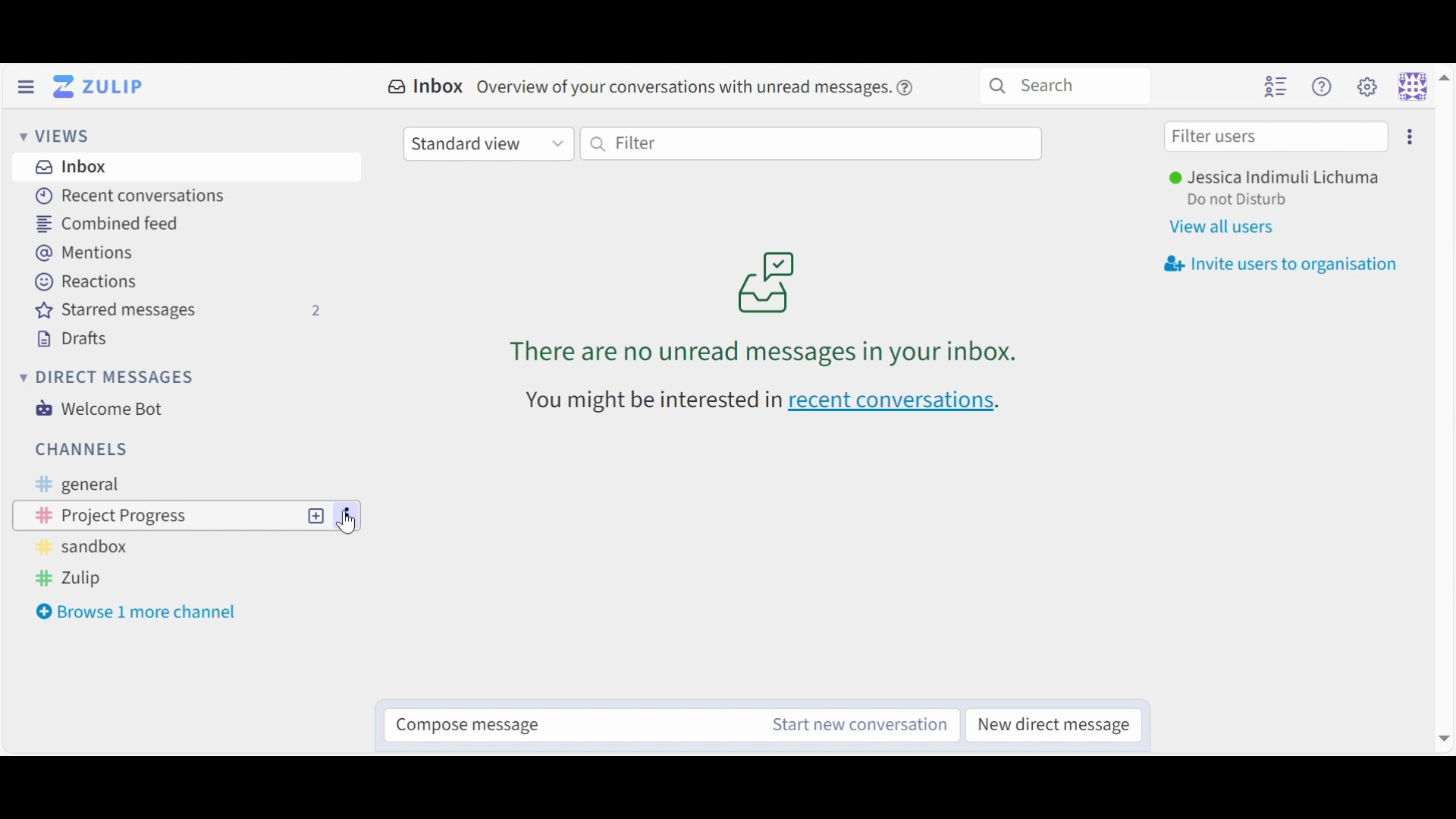 Image resolution: width=1456 pixels, height=819 pixels. Describe the element at coordinates (772, 400) in the screenshot. I see `recent conversations` at that location.